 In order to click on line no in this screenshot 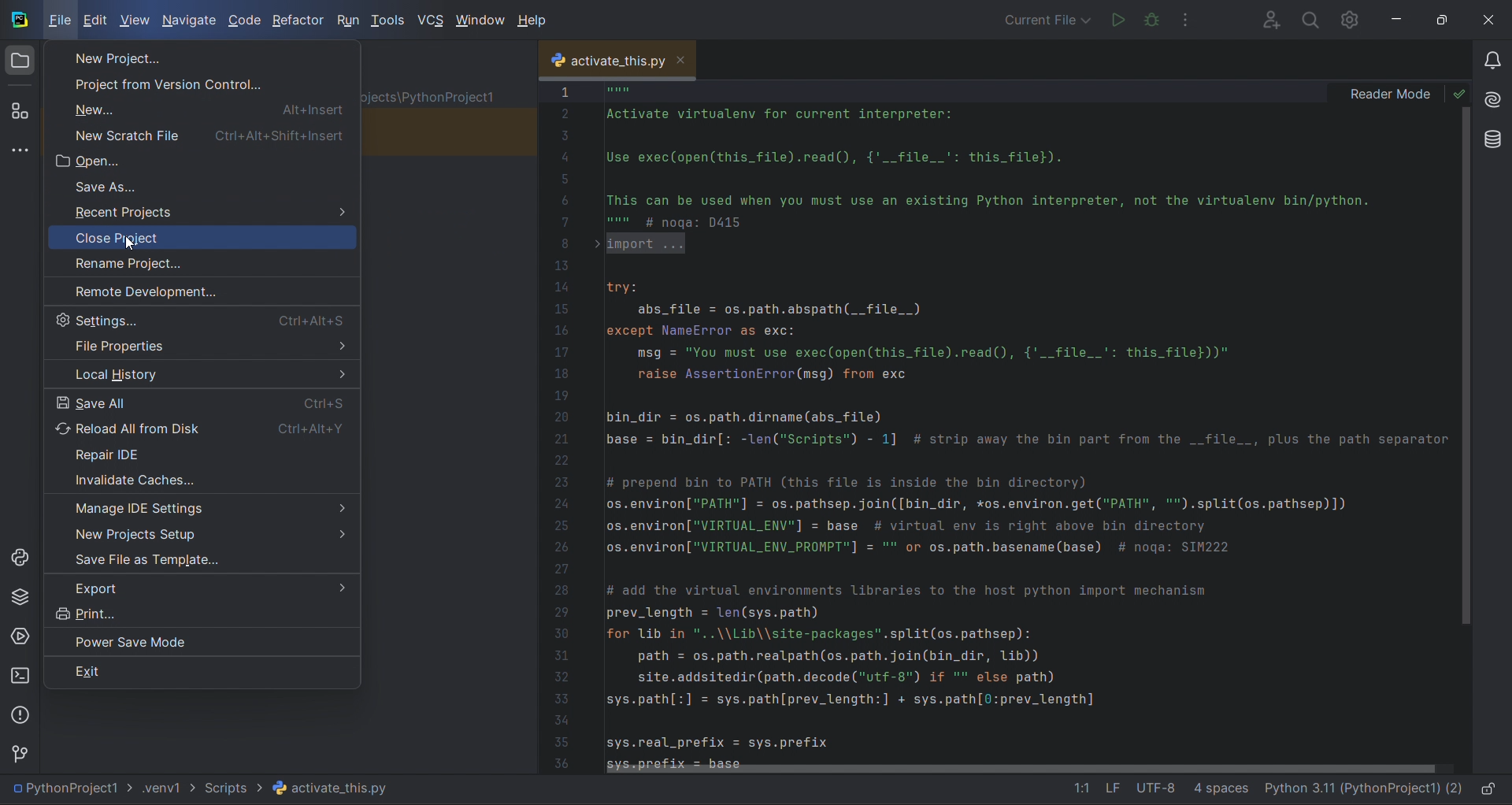, I will do `click(562, 425)`.